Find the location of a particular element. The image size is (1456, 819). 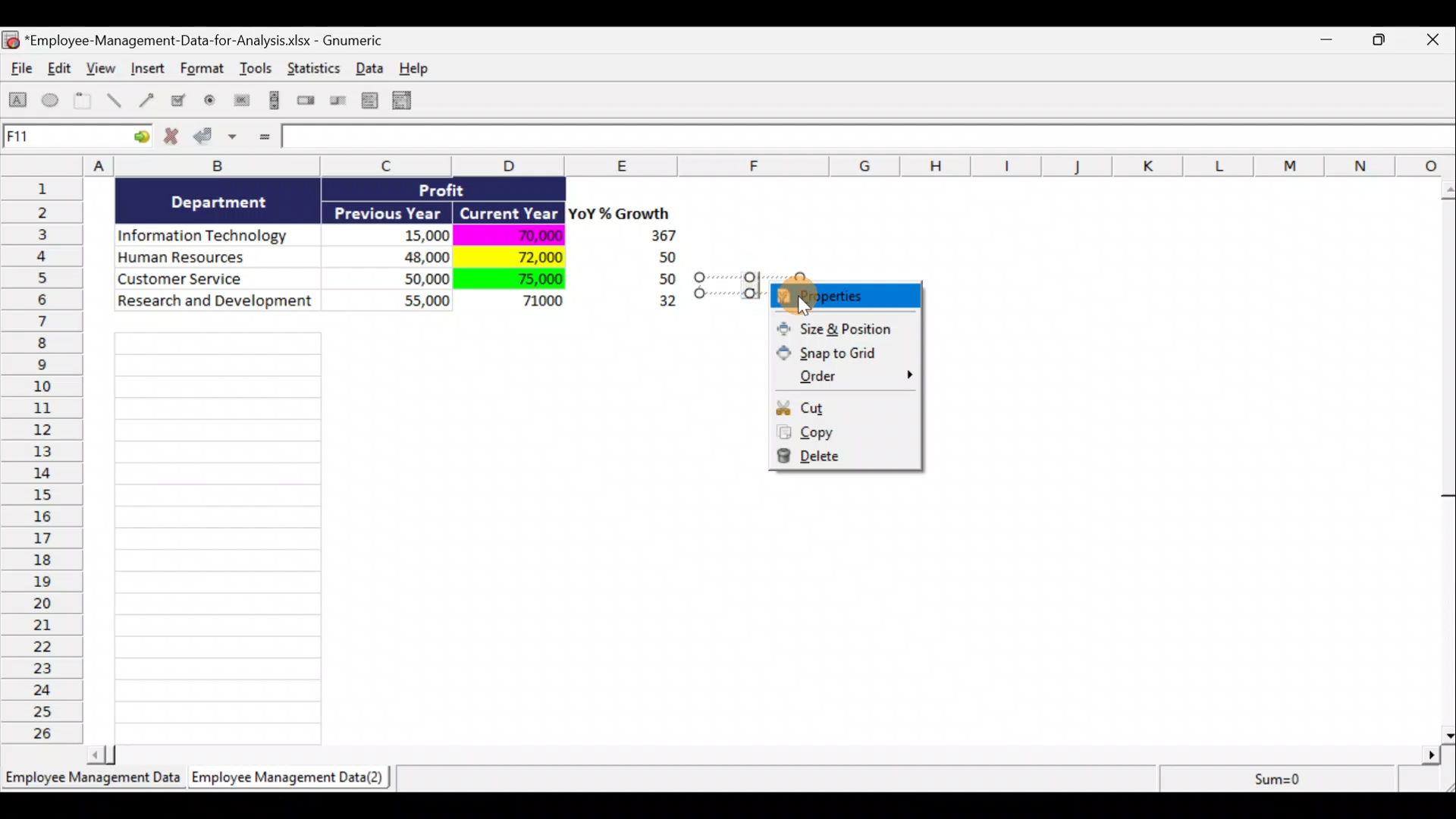

Format is located at coordinates (204, 71).